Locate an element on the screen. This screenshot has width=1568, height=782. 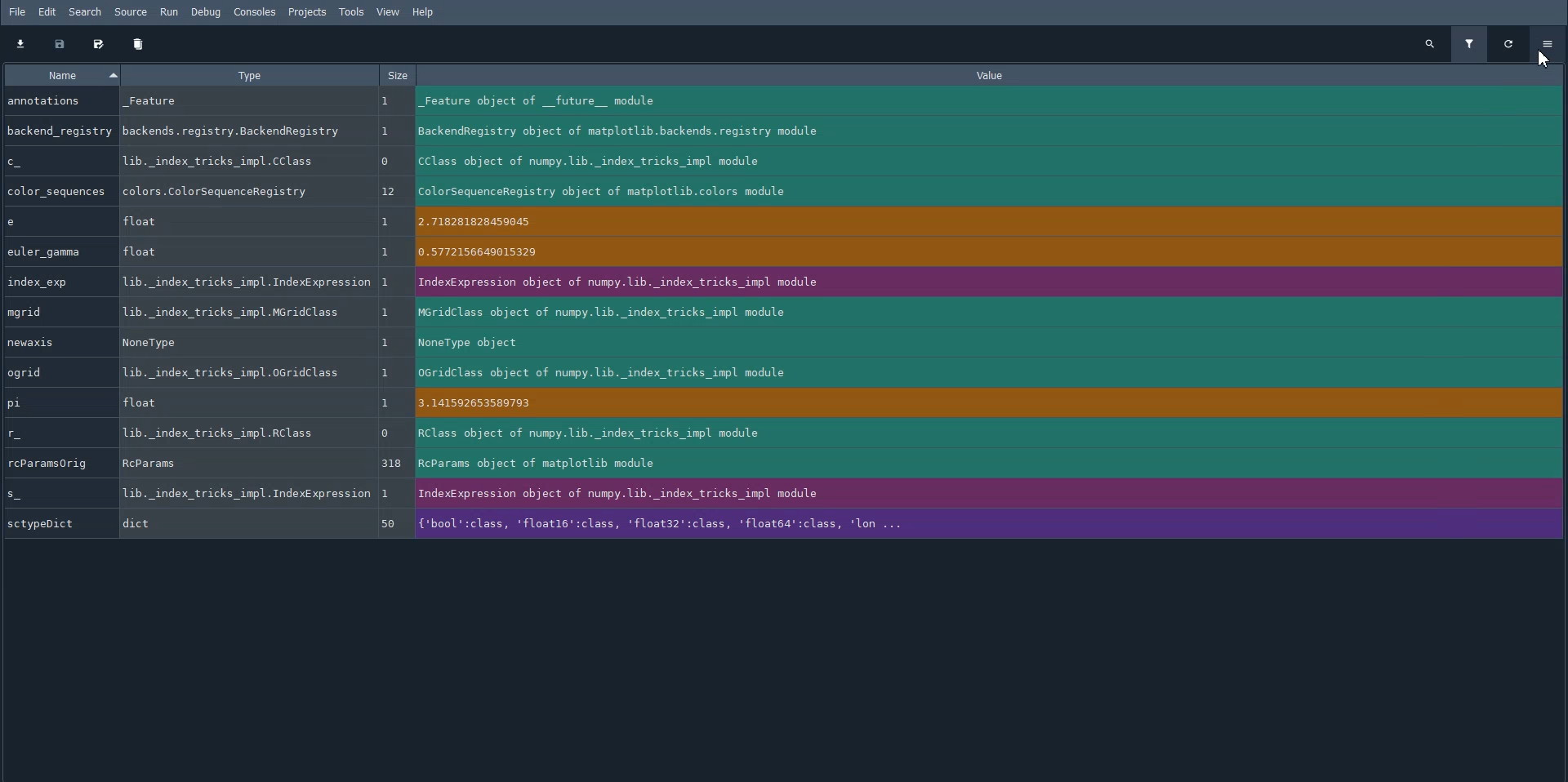
1 is located at coordinates (387, 403).